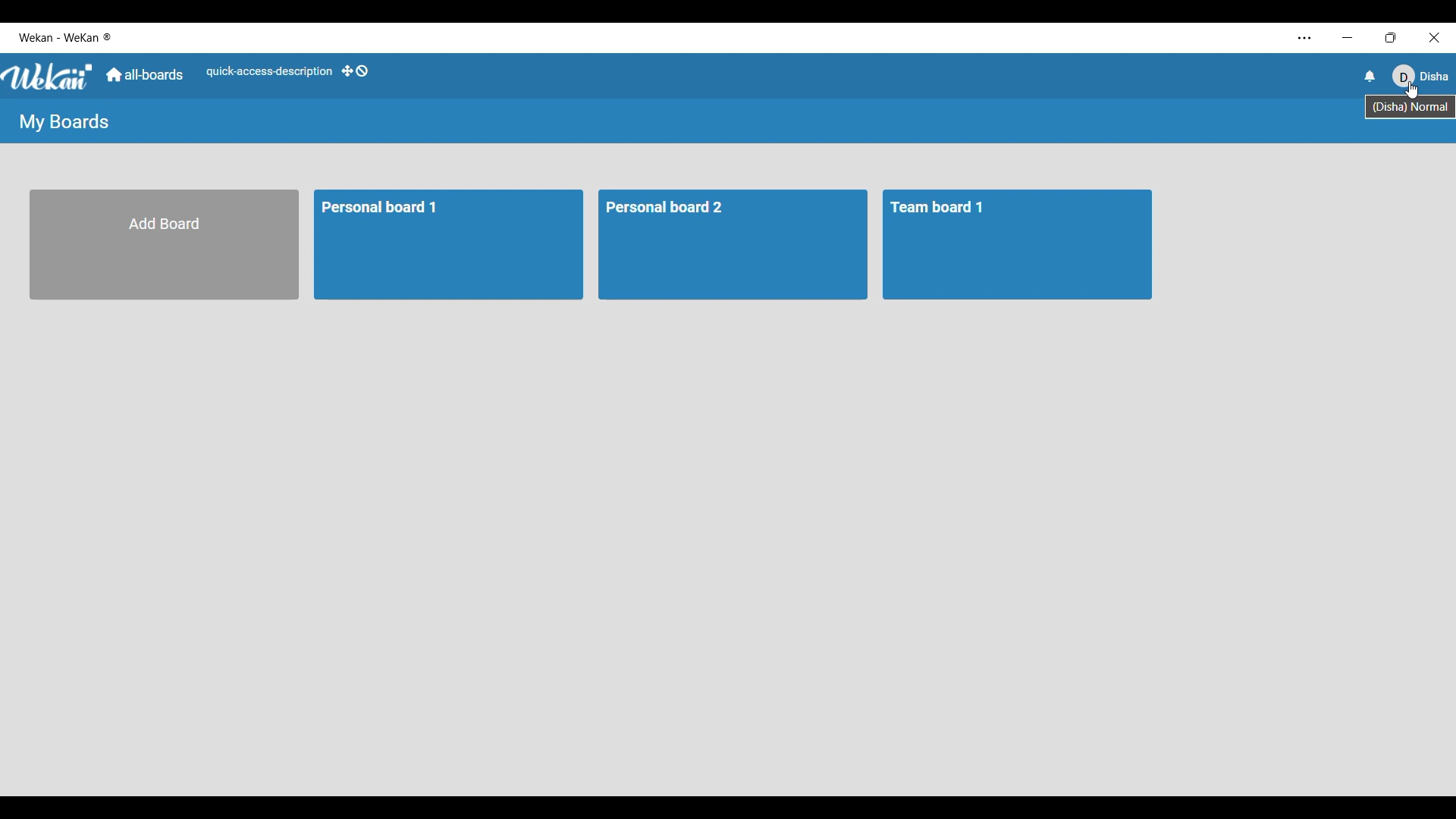 This screenshot has height=819, width=1456. I want to click on Software logo, so click(49, 77).